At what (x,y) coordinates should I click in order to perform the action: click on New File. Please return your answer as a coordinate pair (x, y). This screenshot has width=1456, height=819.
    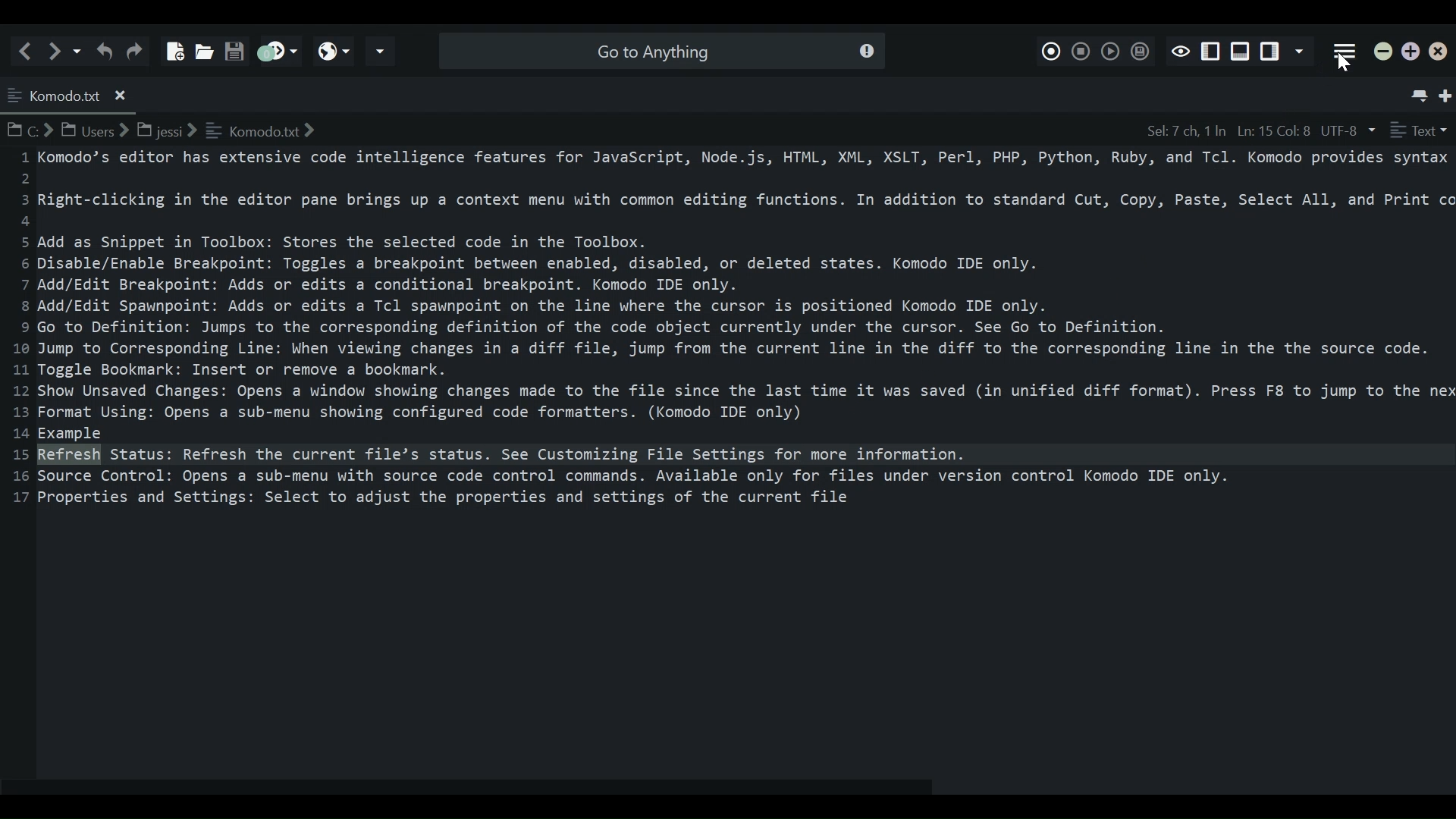
    Looking at the image, I should click on (172, 45).